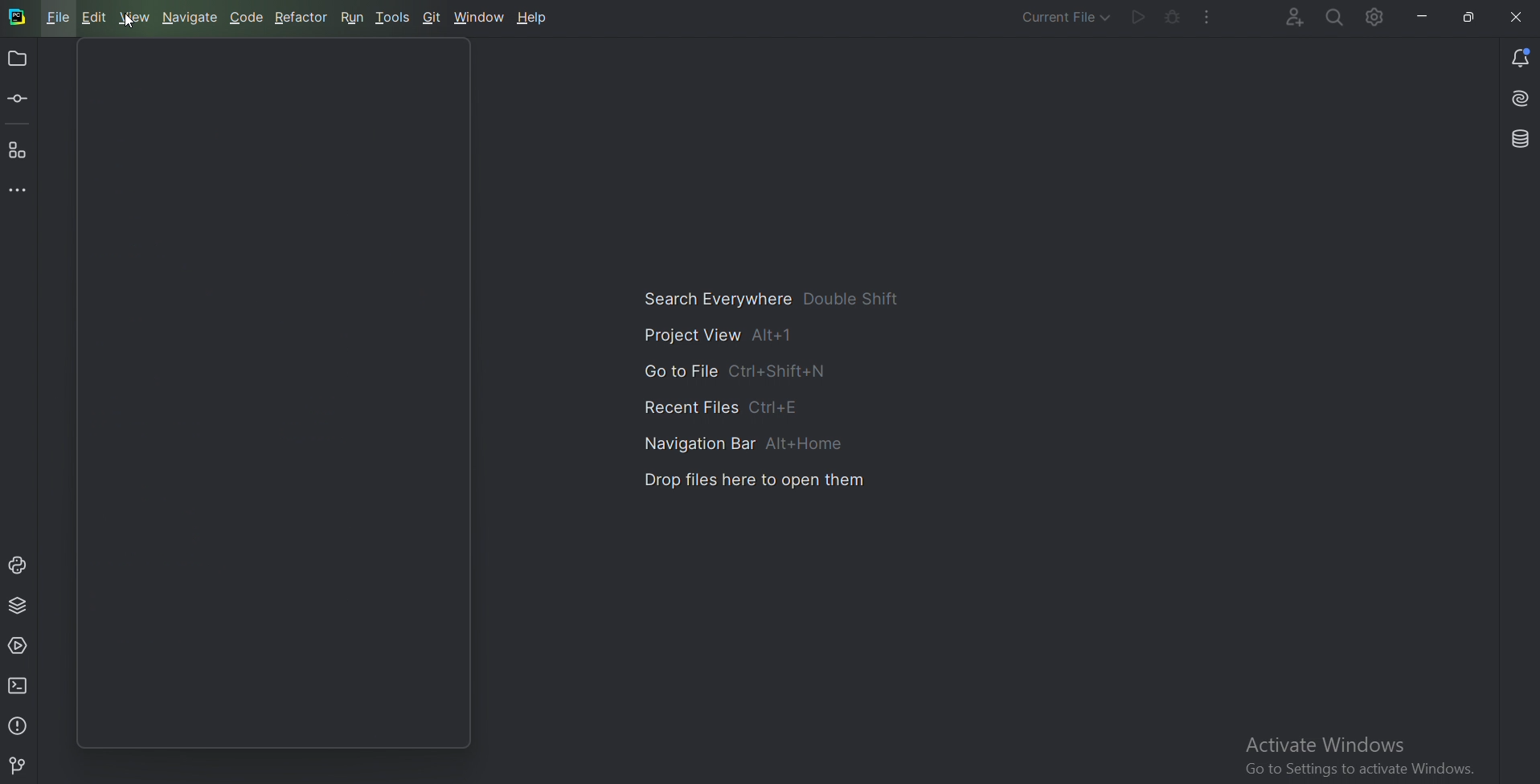 This screenshot has height=784, width=1540. What do you see at coordinates (1424, 16) in the screenshot?
I see `Minimize` at bounding box center [1424, 16].